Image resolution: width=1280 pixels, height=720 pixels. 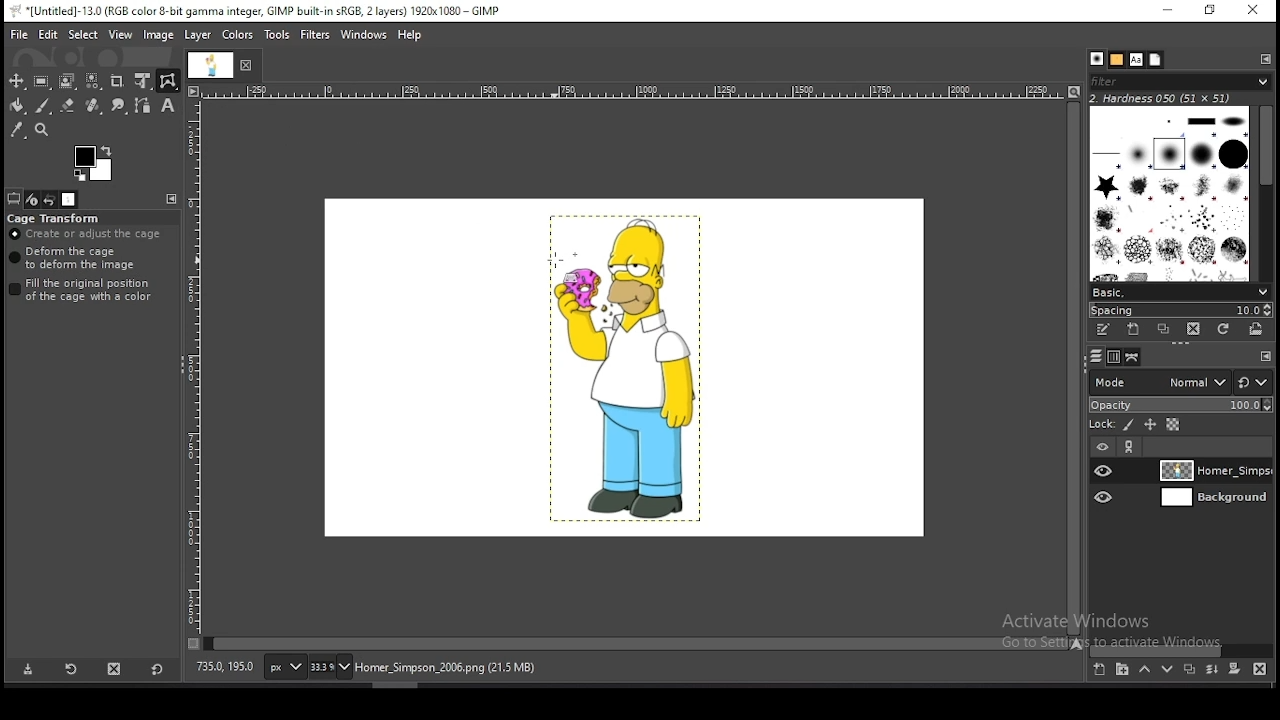 I want to click on close, so click(x=247, y=65).